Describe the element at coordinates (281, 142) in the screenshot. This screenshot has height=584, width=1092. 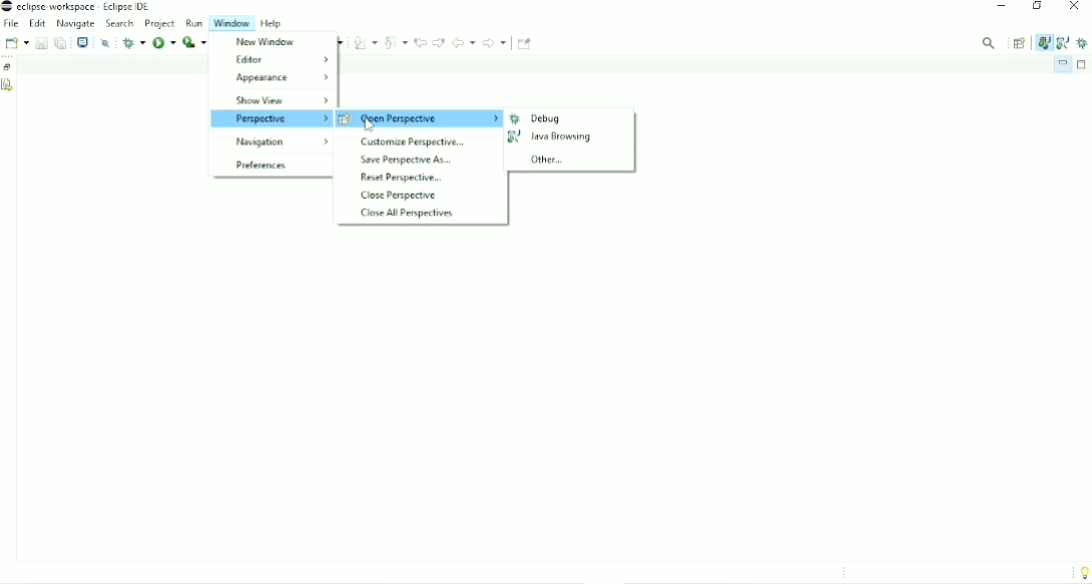
I see `Navigation` at that location.